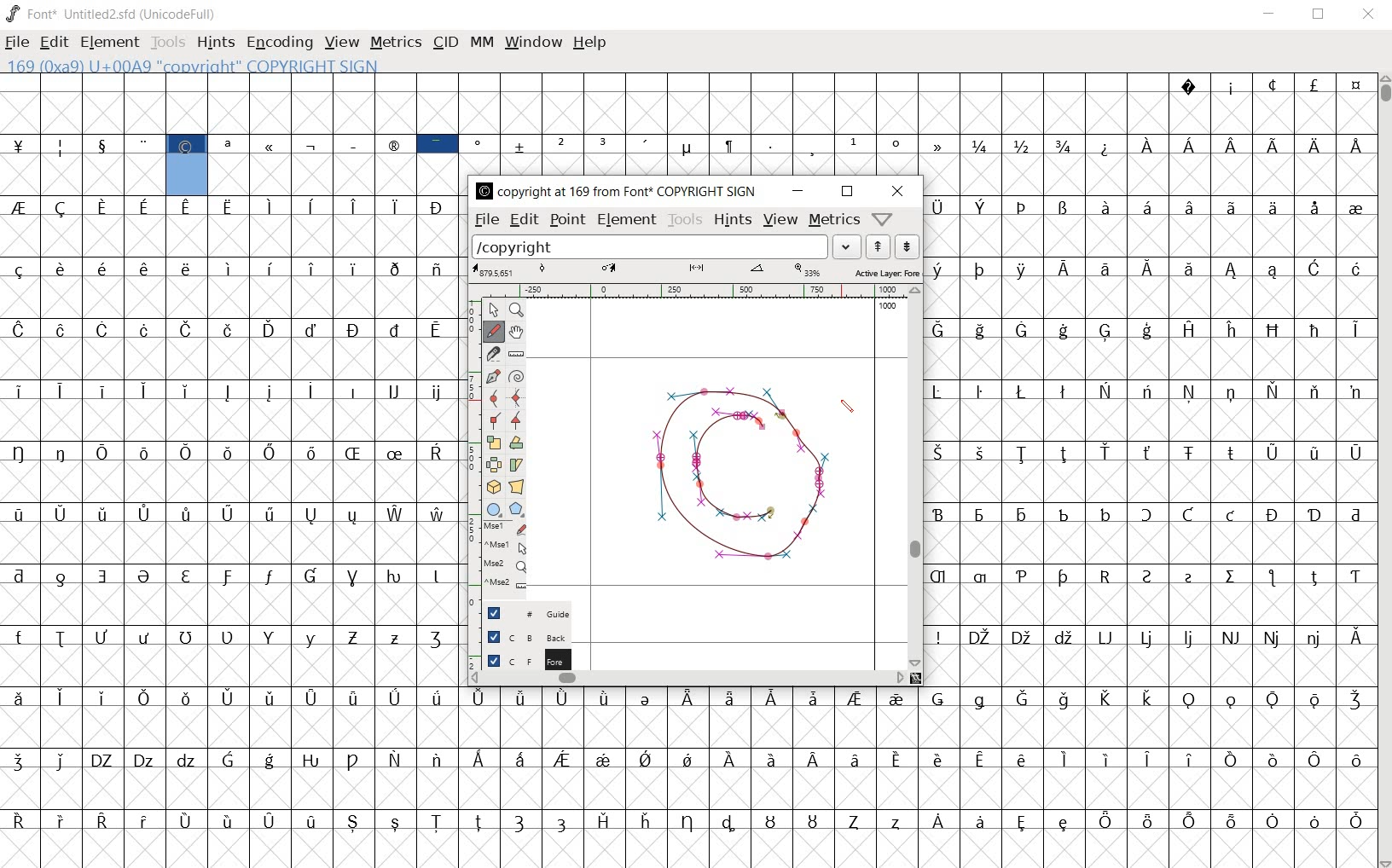  What do you see at coordinates (492, 353) in the screenshot?
I see `cut splines in two` at bounding box center [492, 353].